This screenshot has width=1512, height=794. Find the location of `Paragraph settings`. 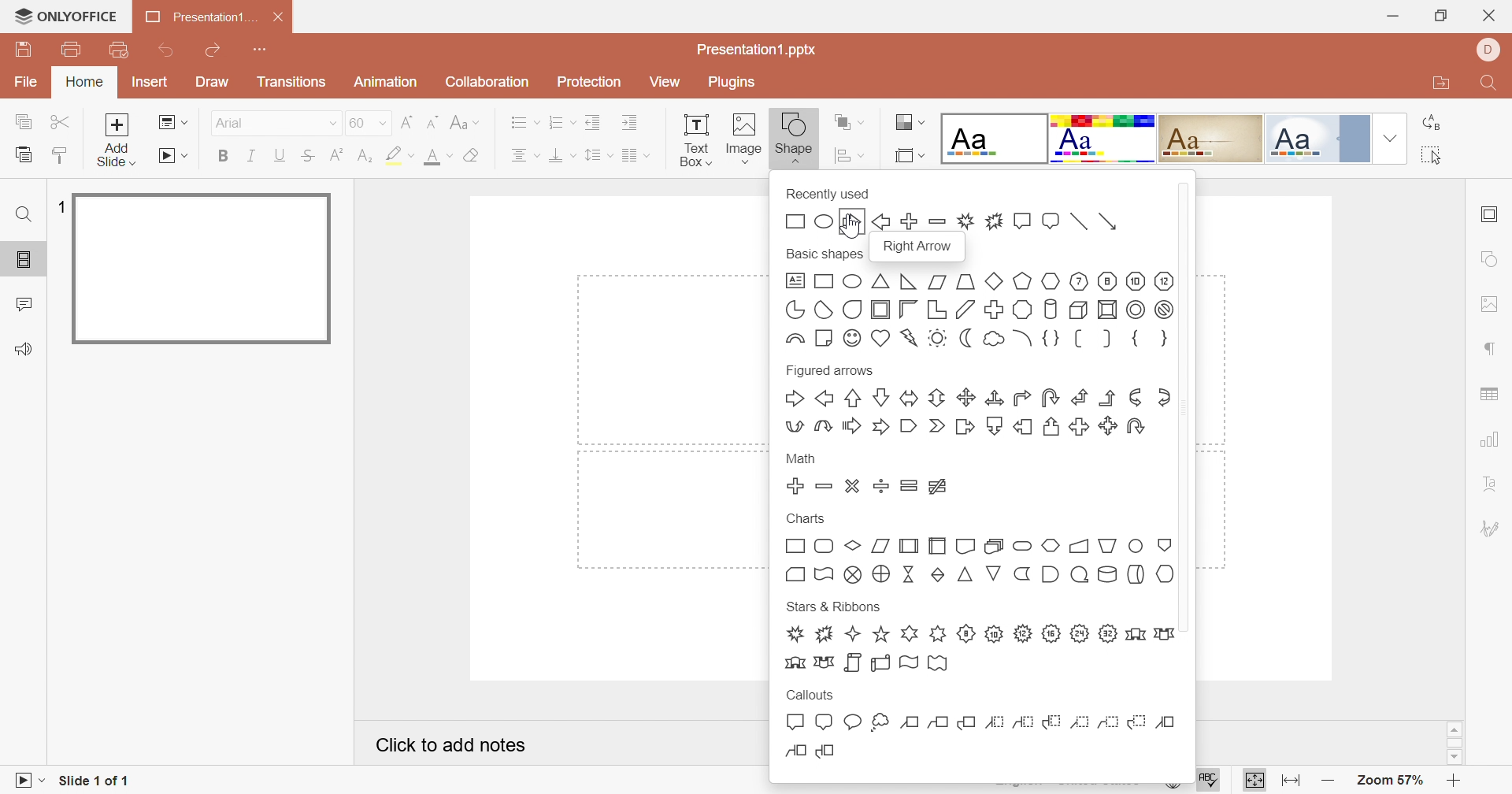

Paragraph settings is located at coordinates (1491, 350).